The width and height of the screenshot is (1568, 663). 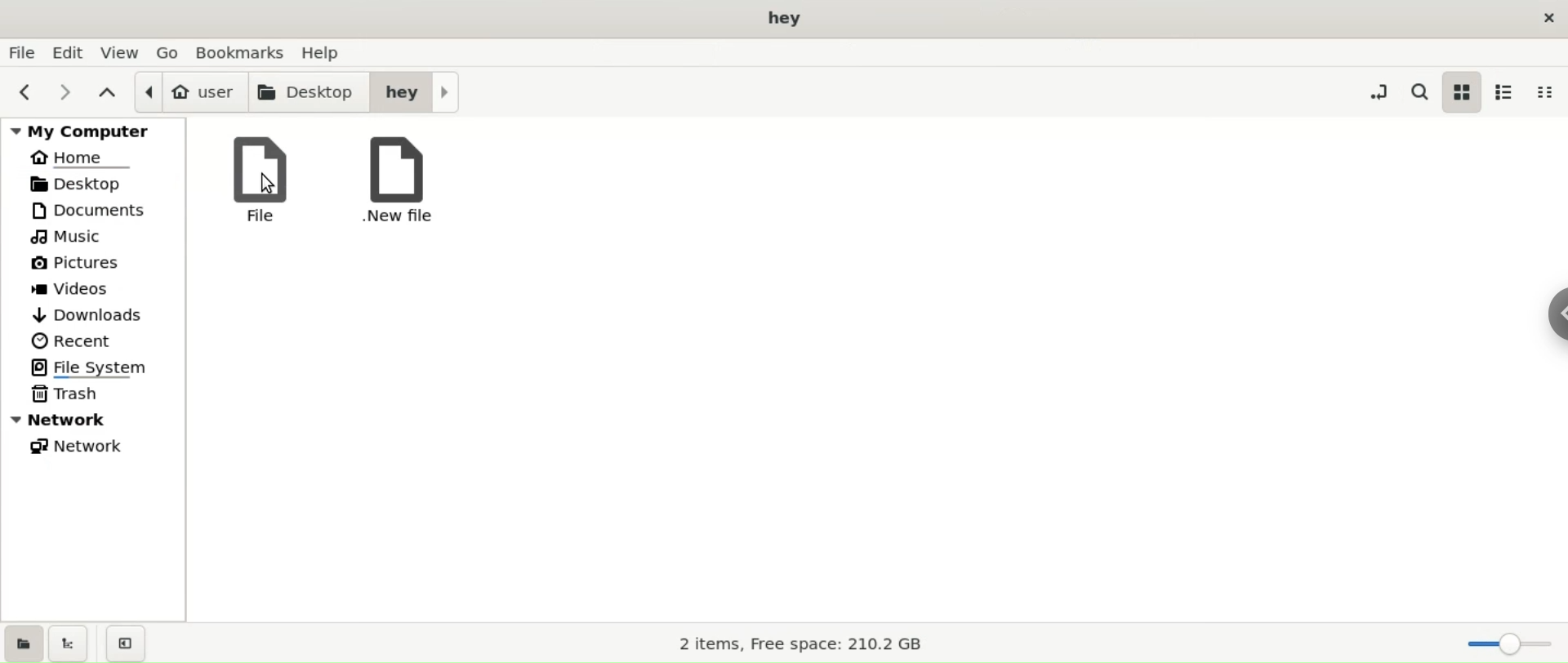 I want to click on bookmarks, so click(x=240, y=51).